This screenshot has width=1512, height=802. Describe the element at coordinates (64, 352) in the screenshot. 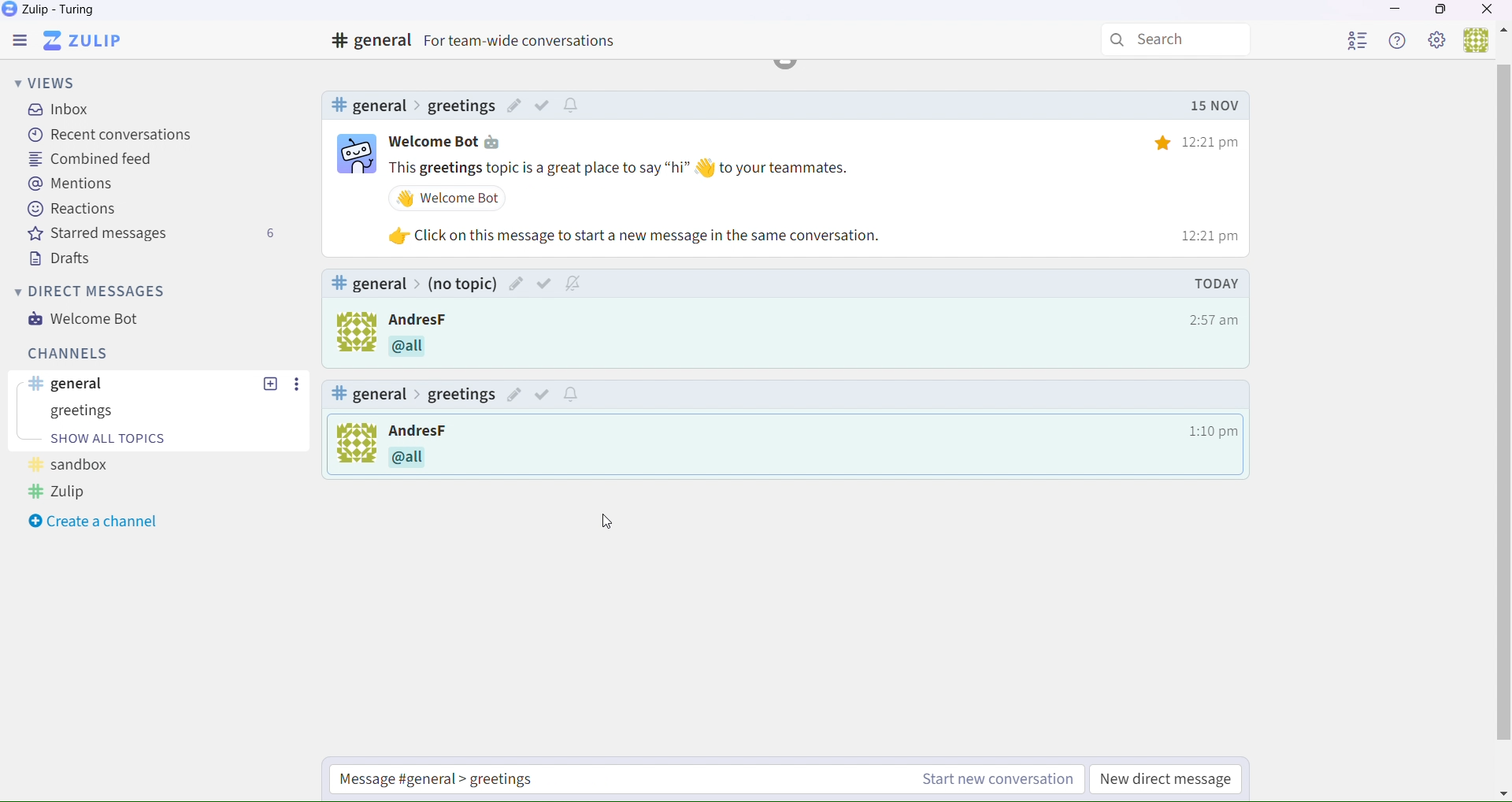

I see `Channels` at that location.